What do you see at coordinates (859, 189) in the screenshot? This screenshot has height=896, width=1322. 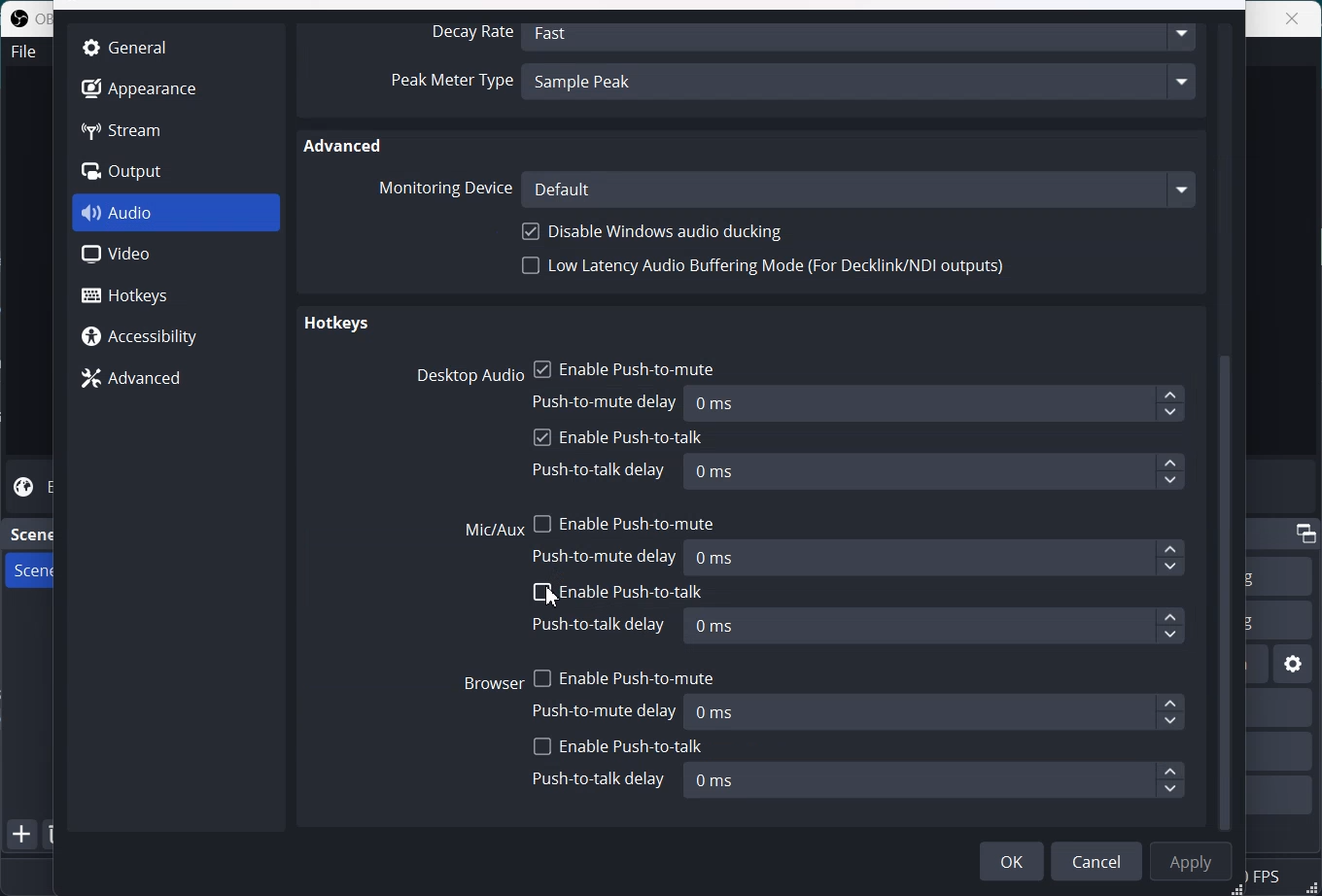 I see `Default` at bounding box center [859, 189].